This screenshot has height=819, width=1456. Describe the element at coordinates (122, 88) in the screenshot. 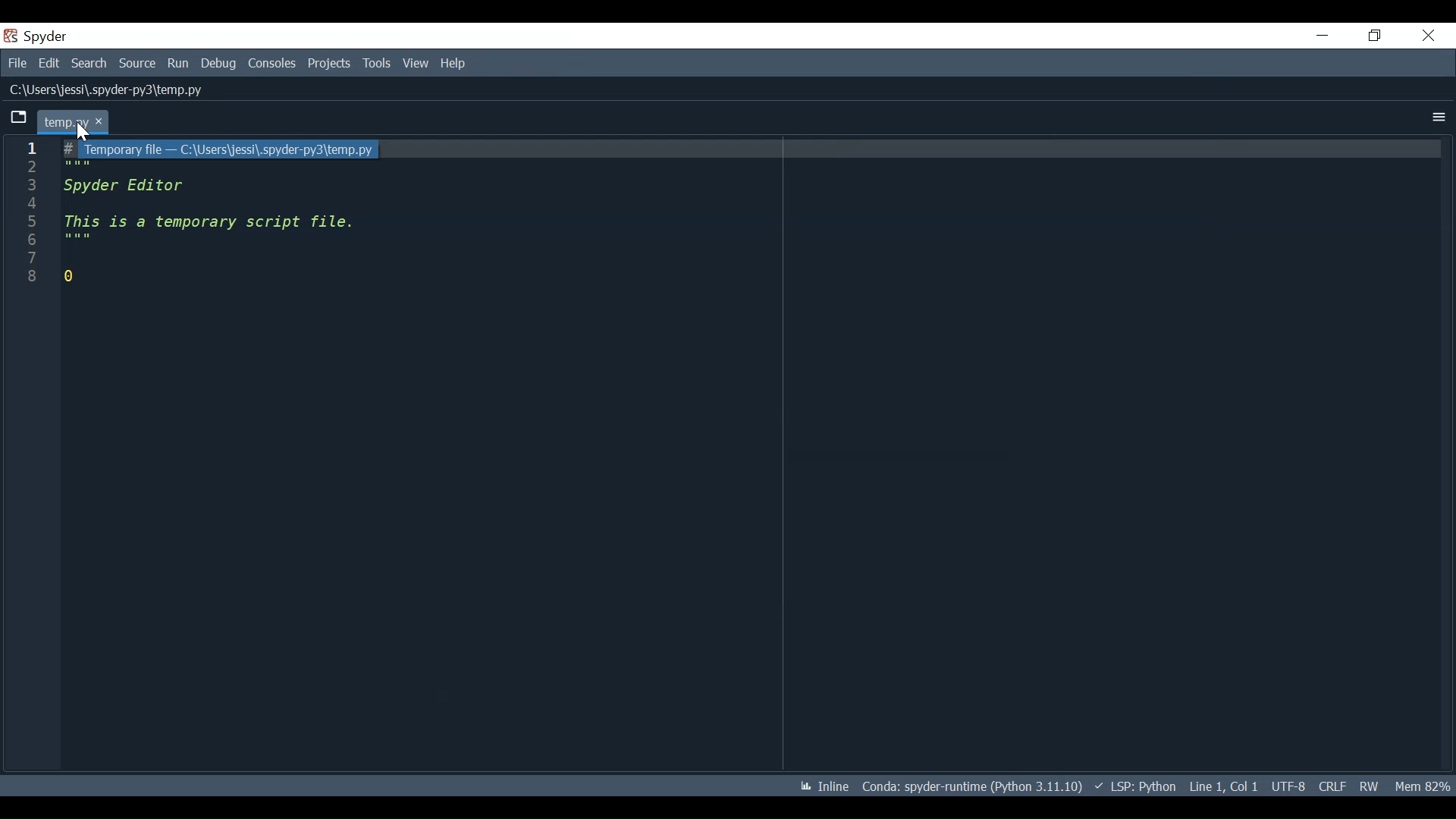

I see `C:\Users\jessi\.spyder-py3\temp.py` at that location.